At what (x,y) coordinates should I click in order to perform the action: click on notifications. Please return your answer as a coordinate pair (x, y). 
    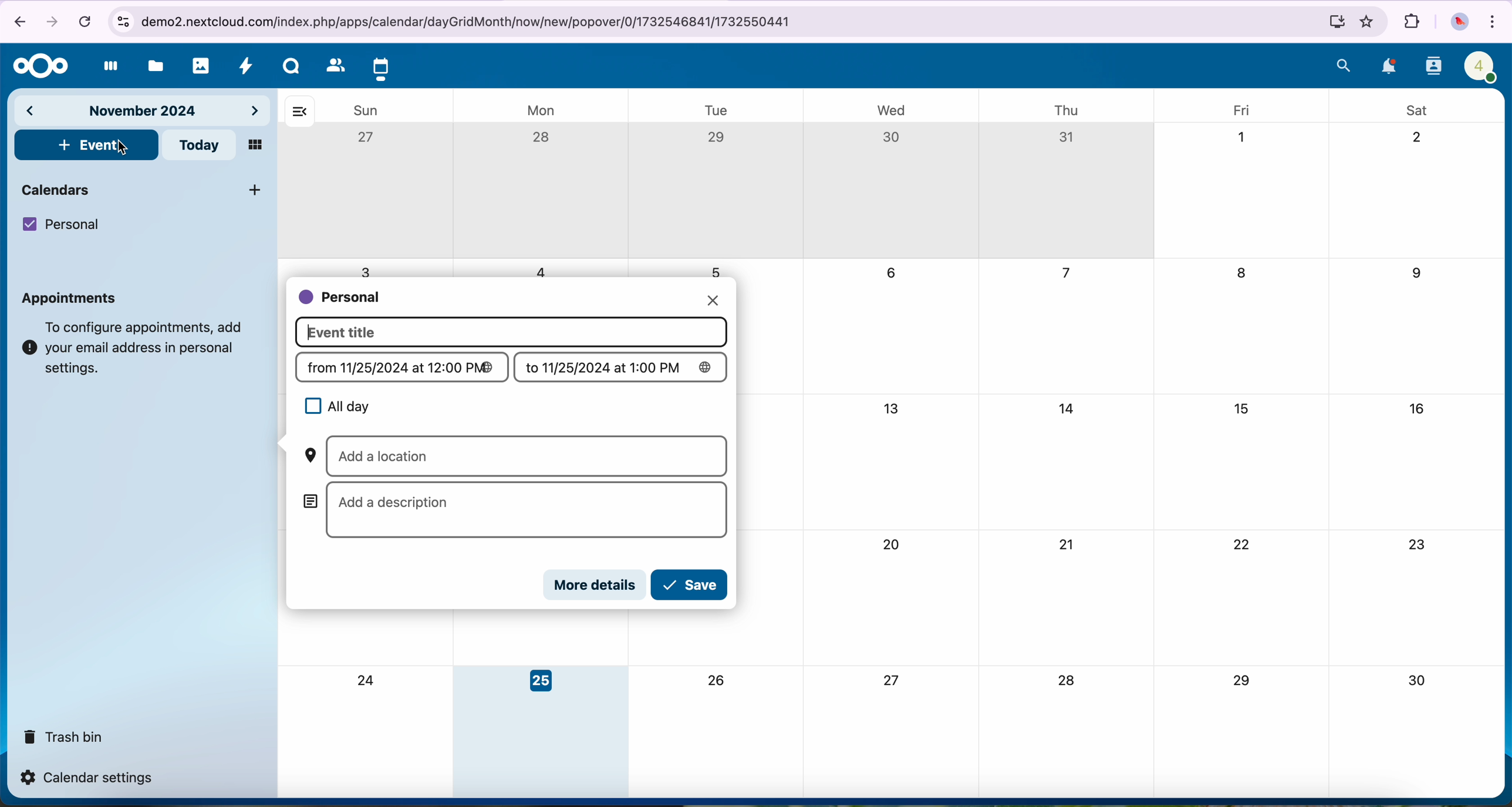
    Looking at the image, I should click on (1389, 67).